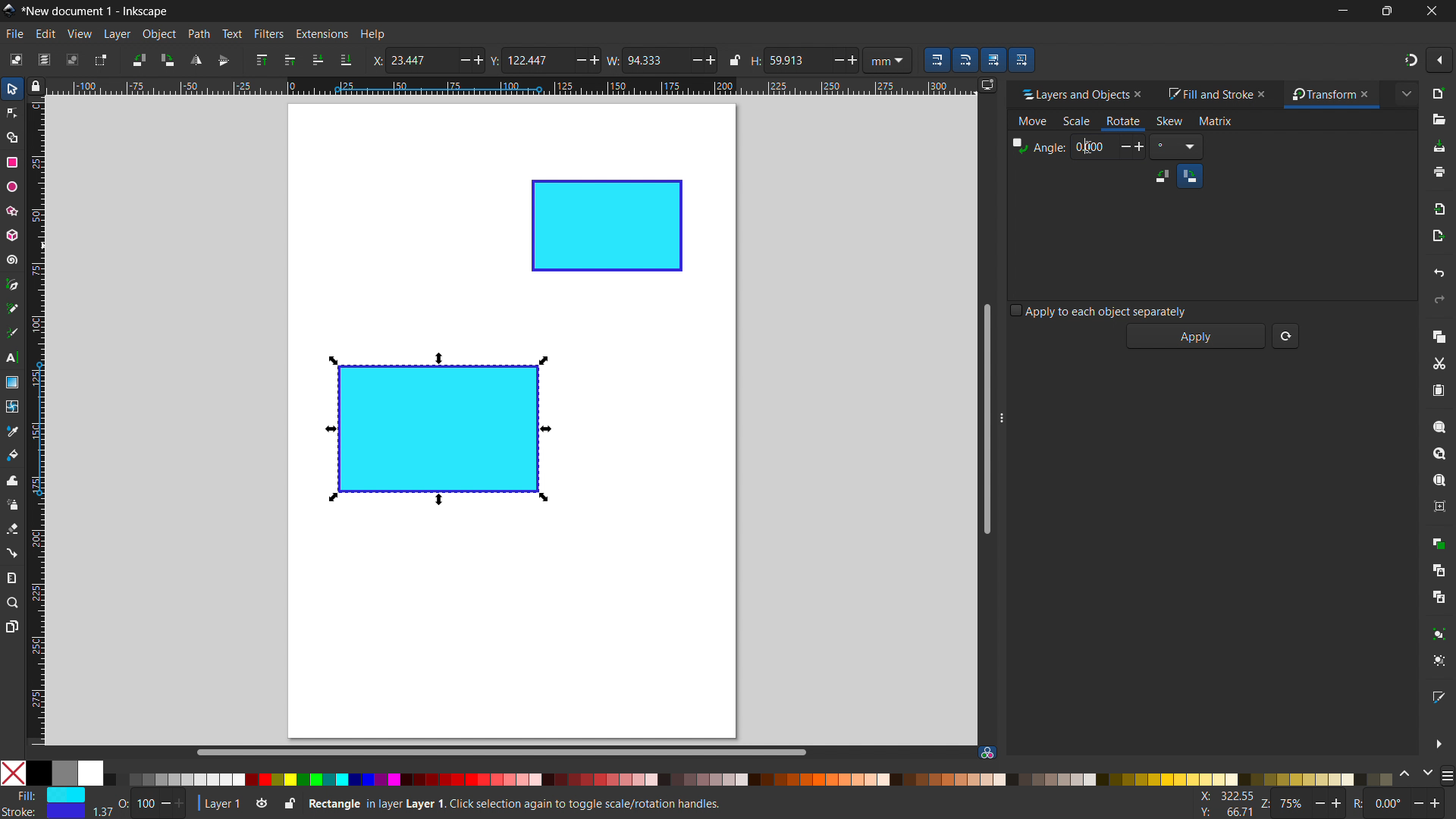  I want to click on rotate 90 cw, so click(167, 60).